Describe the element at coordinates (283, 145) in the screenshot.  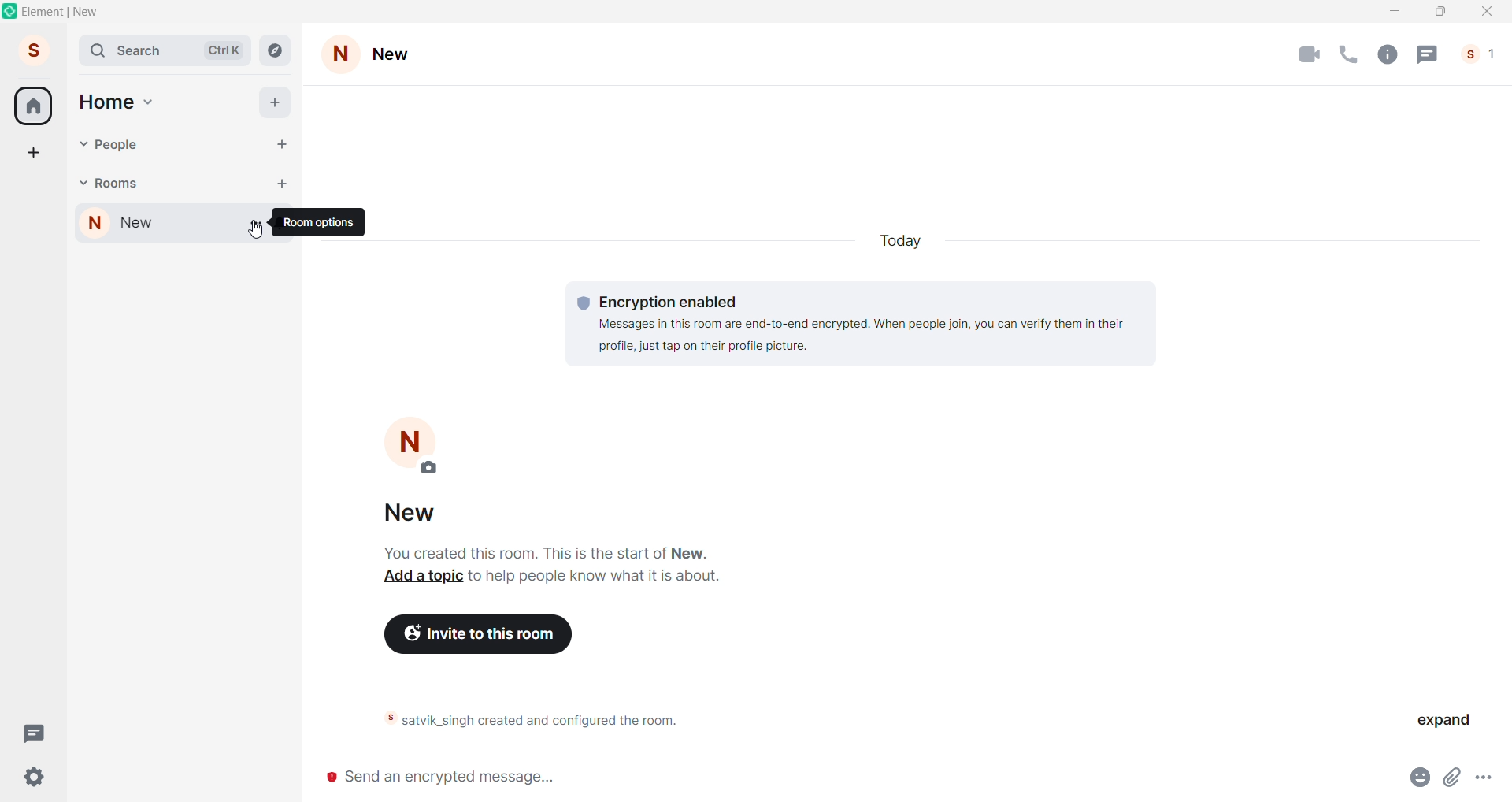
I see `Start Chat` at that location.